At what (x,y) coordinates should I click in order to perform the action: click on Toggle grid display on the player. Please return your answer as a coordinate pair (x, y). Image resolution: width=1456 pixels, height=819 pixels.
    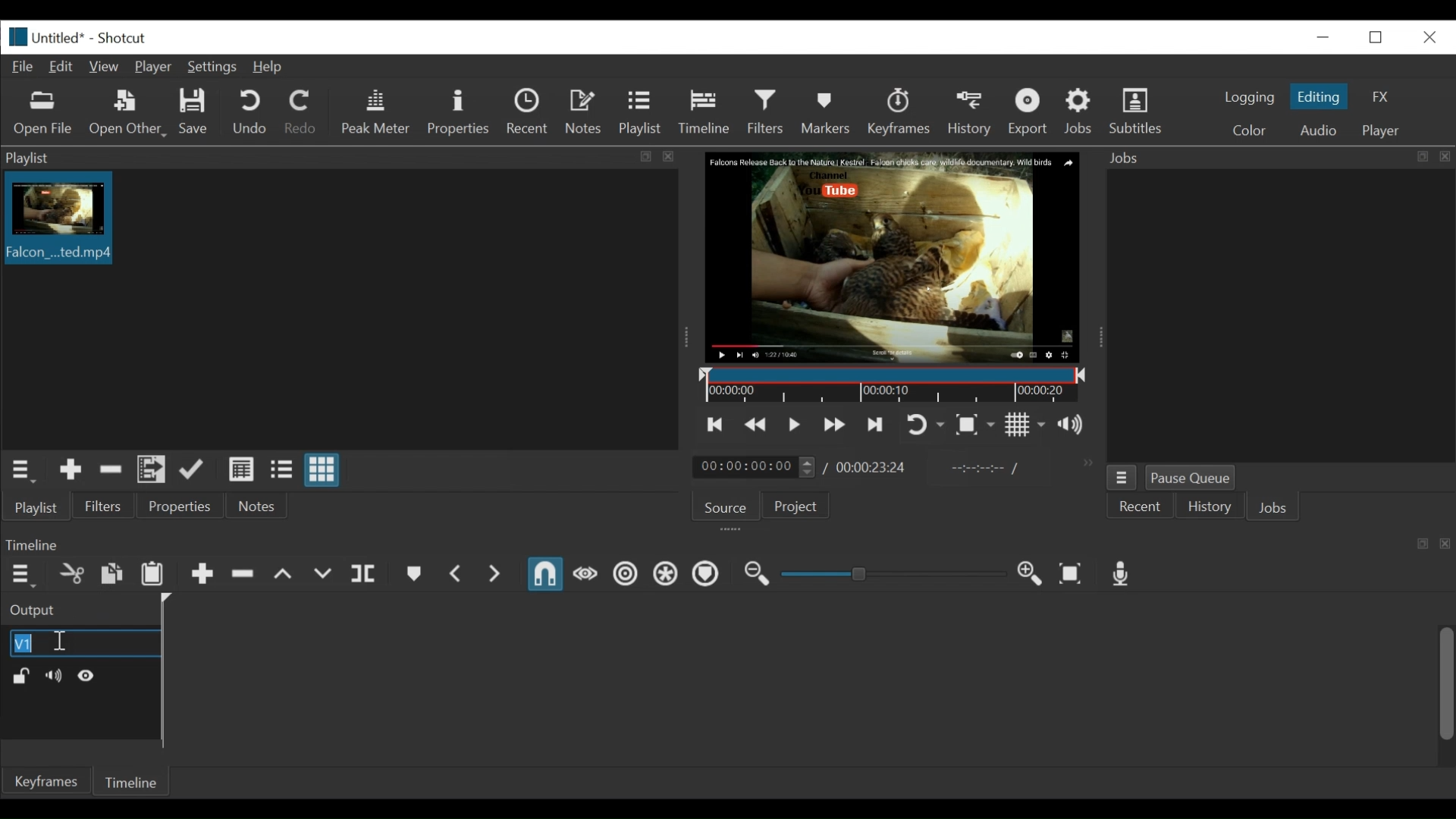
    Looking at the image, I should click on (1025, 425).